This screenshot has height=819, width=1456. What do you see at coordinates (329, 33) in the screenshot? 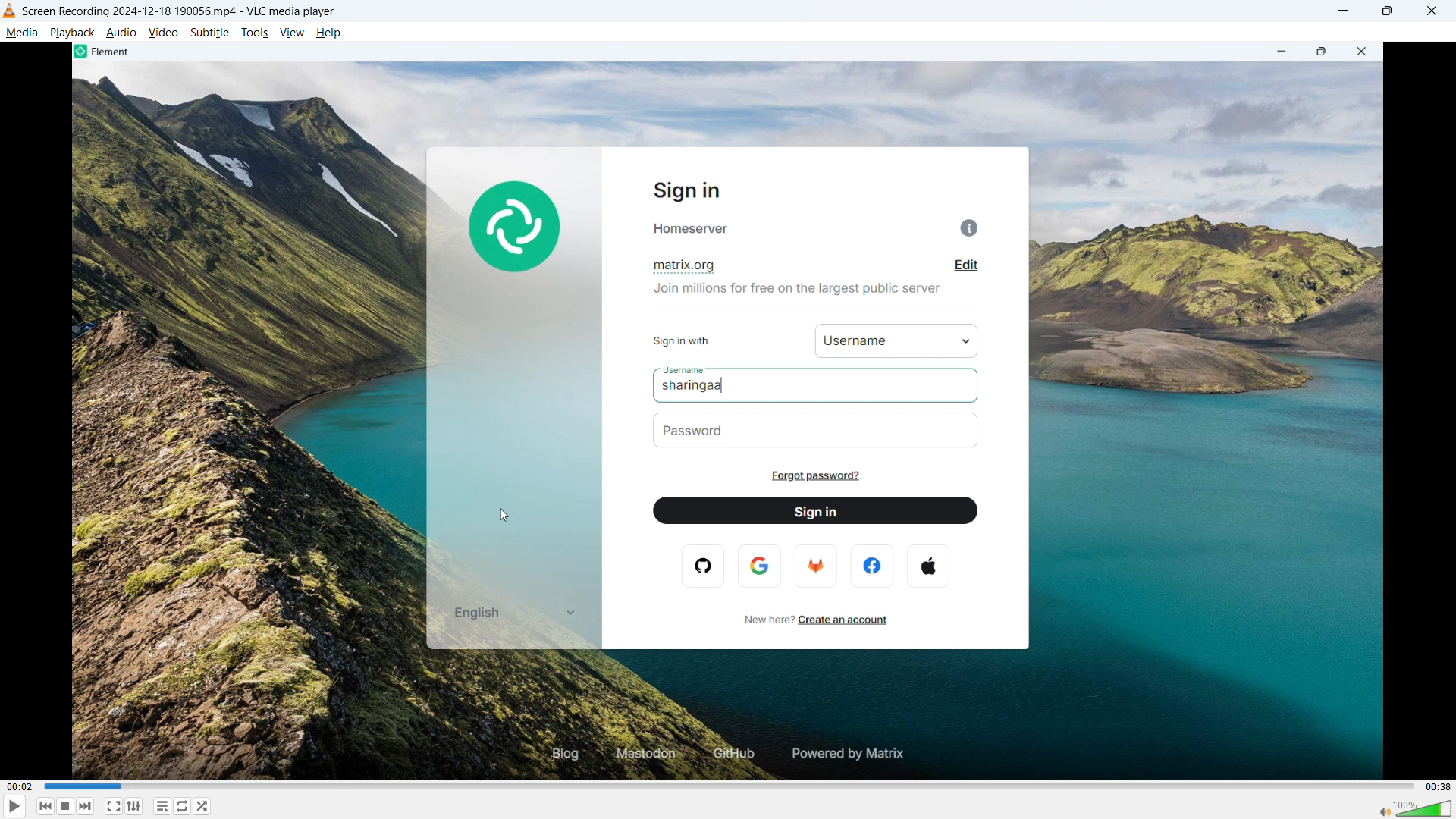
I see `help ` at bounding box center [329, 33].